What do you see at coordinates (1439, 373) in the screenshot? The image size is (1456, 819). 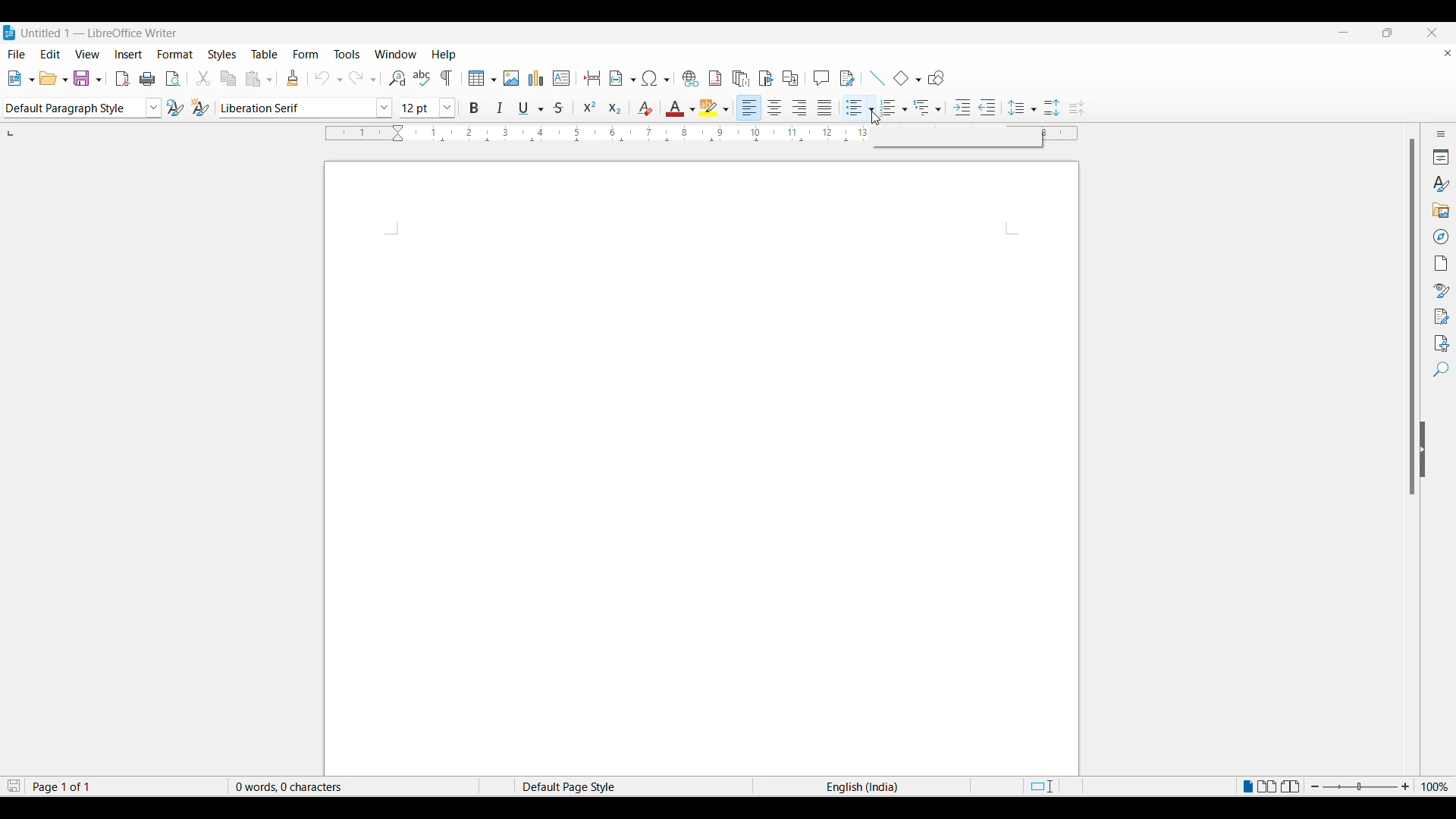 I see `Find` at bounding box center [1439, 373].